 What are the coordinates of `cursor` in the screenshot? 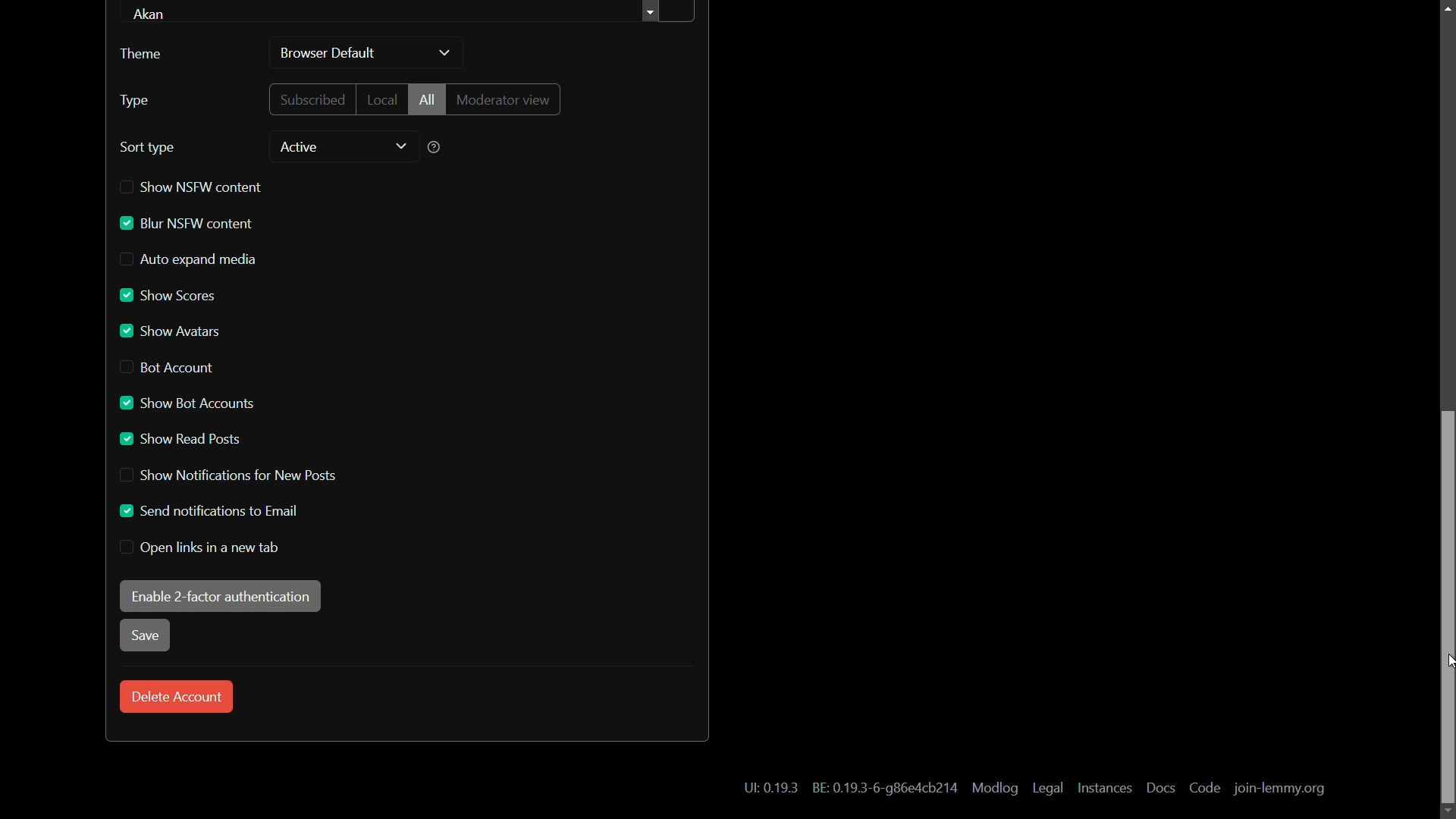 It's located at (1453, 662).